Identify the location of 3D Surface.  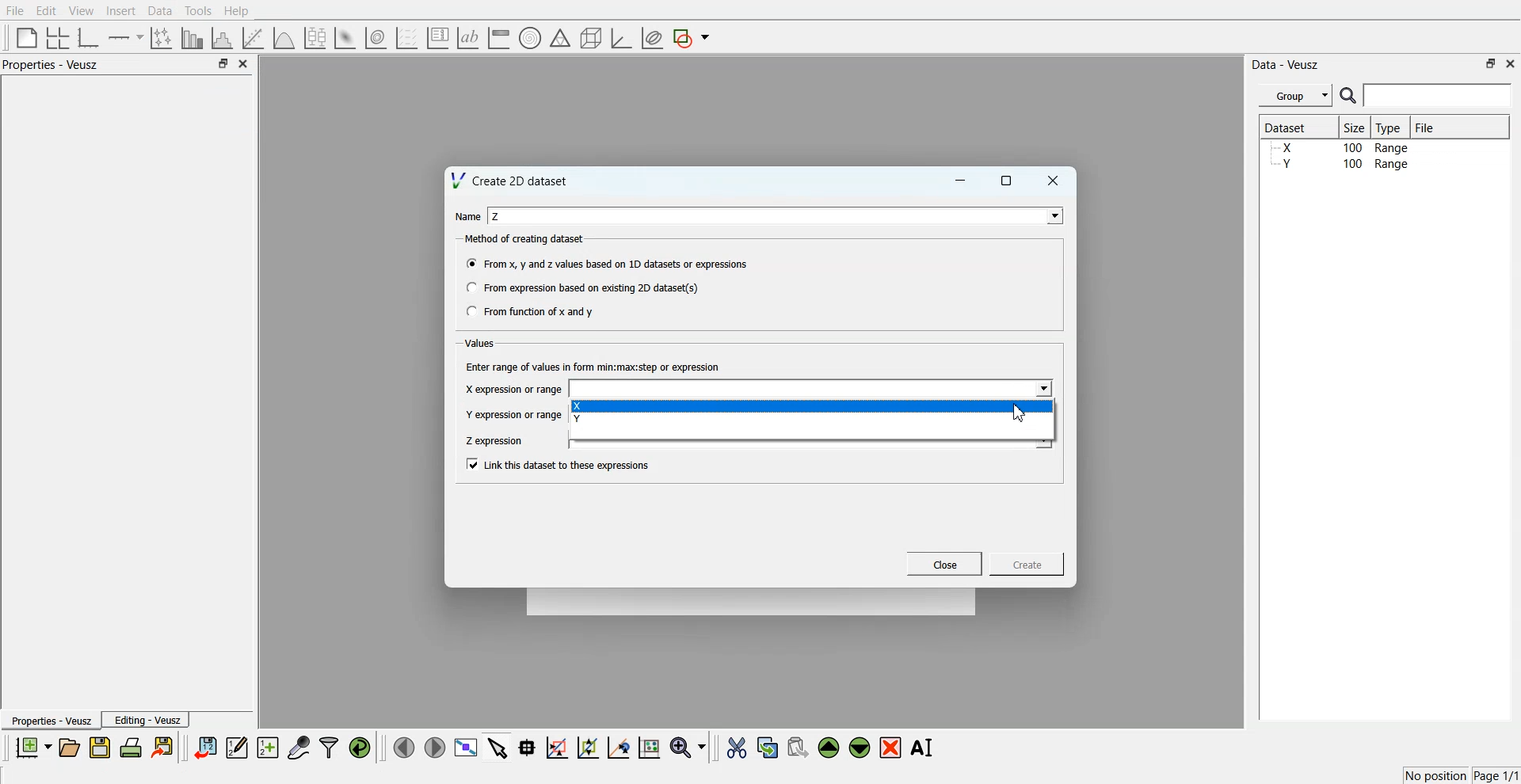
(345, 38).